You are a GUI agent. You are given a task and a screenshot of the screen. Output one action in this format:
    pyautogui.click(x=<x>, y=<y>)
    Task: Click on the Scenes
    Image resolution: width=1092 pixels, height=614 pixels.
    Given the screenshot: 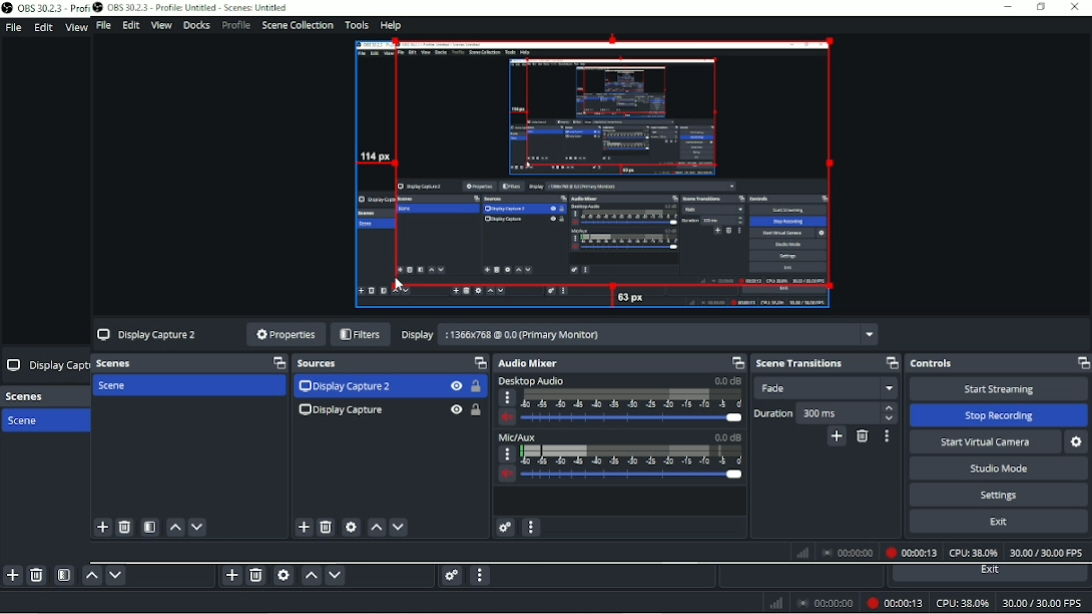 What is the action you would take?
    pyautogui.click(x=31, y=396)
    